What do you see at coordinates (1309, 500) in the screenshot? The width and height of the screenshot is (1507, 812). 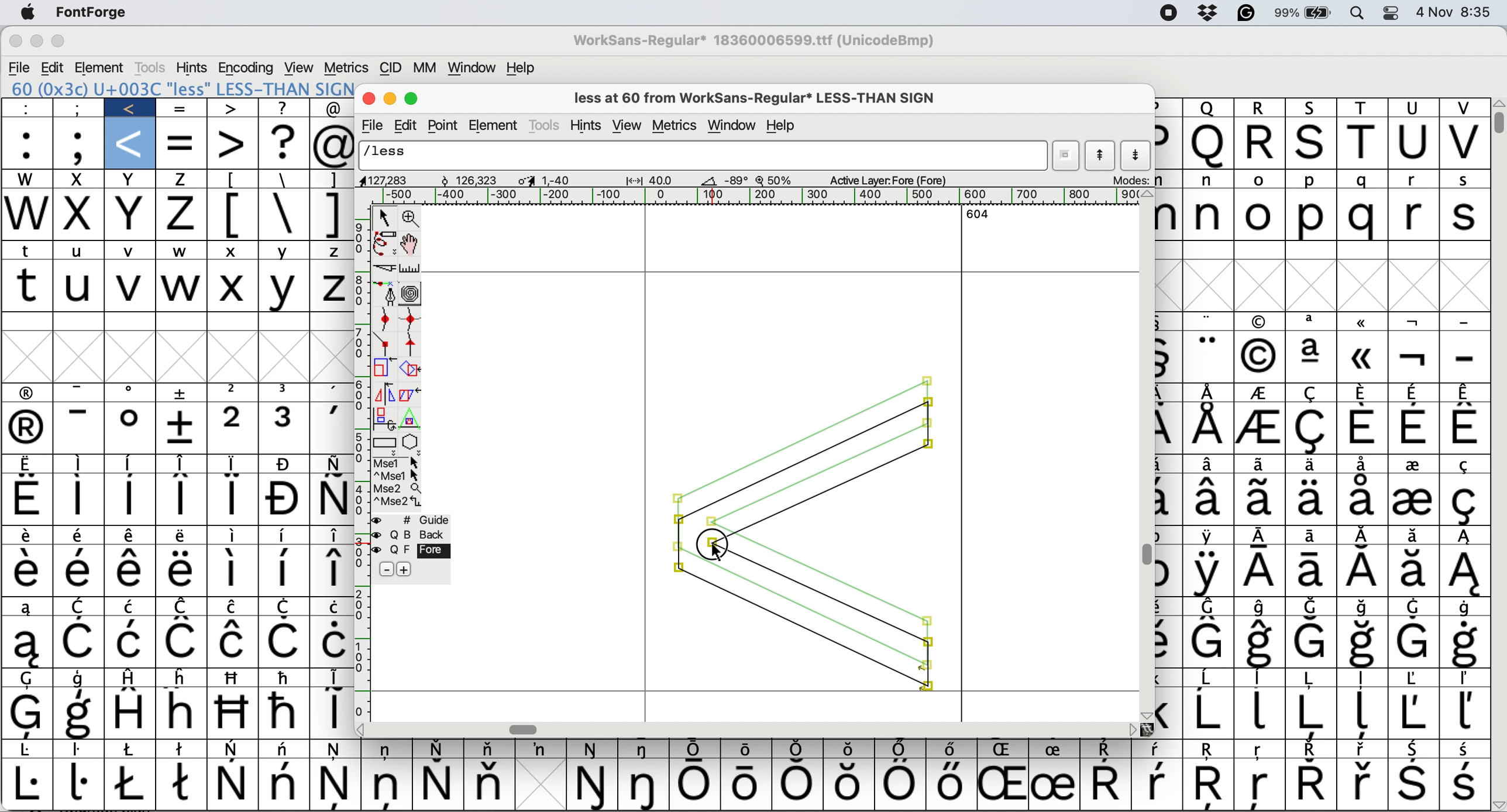 I see `Symbol` at bounding box center [1309, 500].